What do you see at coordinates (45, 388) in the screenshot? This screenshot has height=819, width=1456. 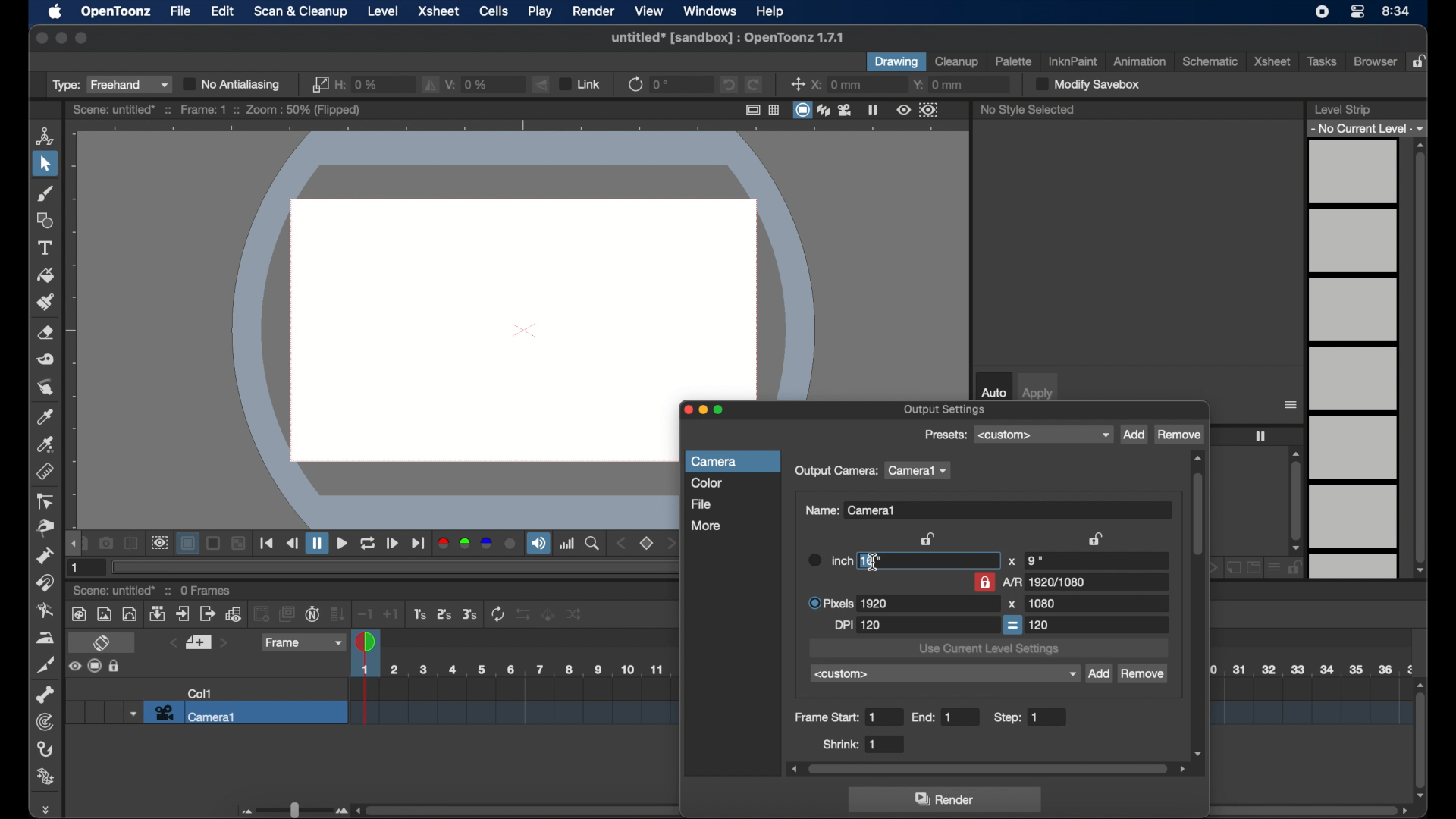 I see `finger tool` at bounding box center [45, 388].